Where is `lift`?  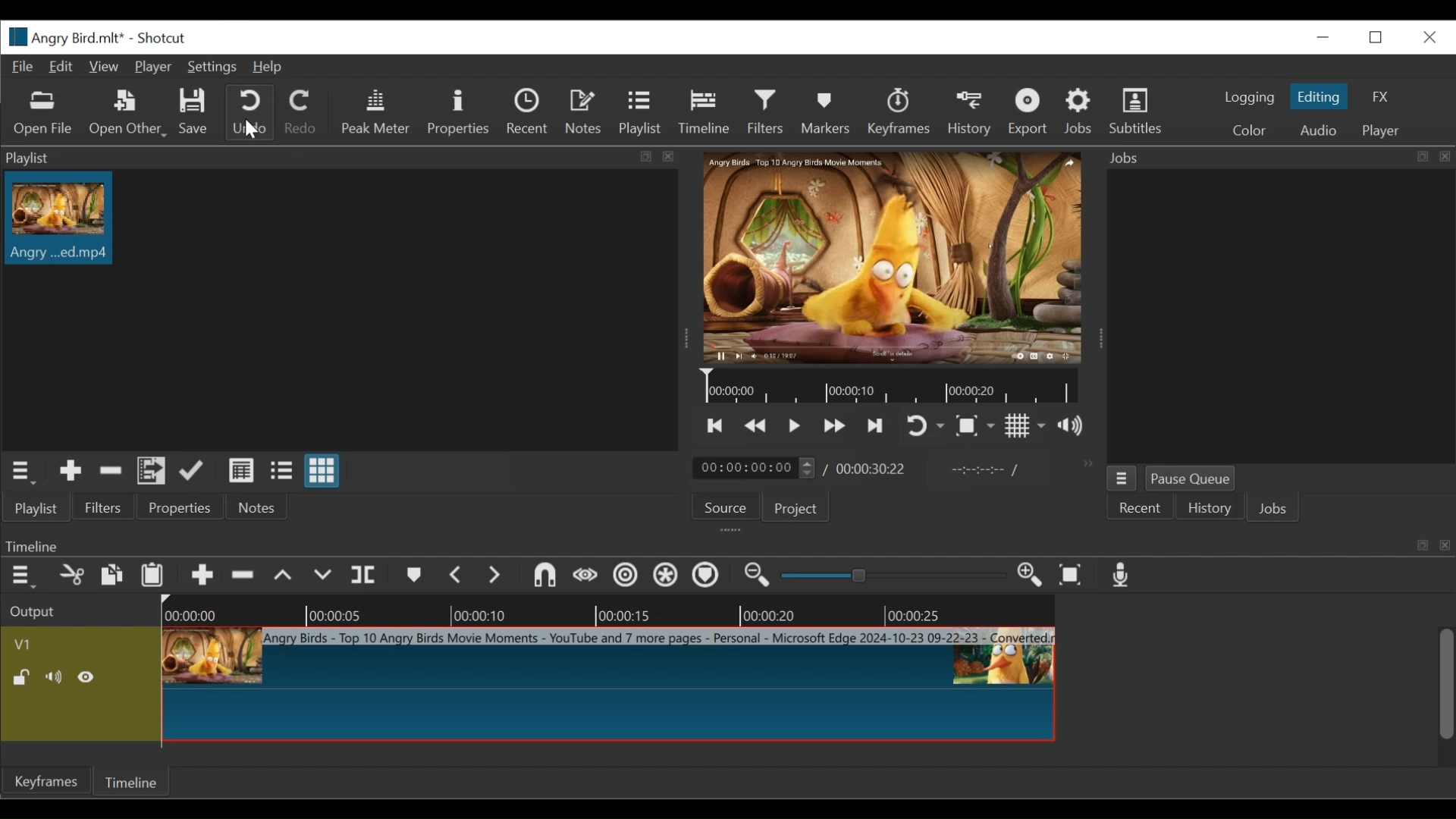 lift is located at coordinates (283, 576).